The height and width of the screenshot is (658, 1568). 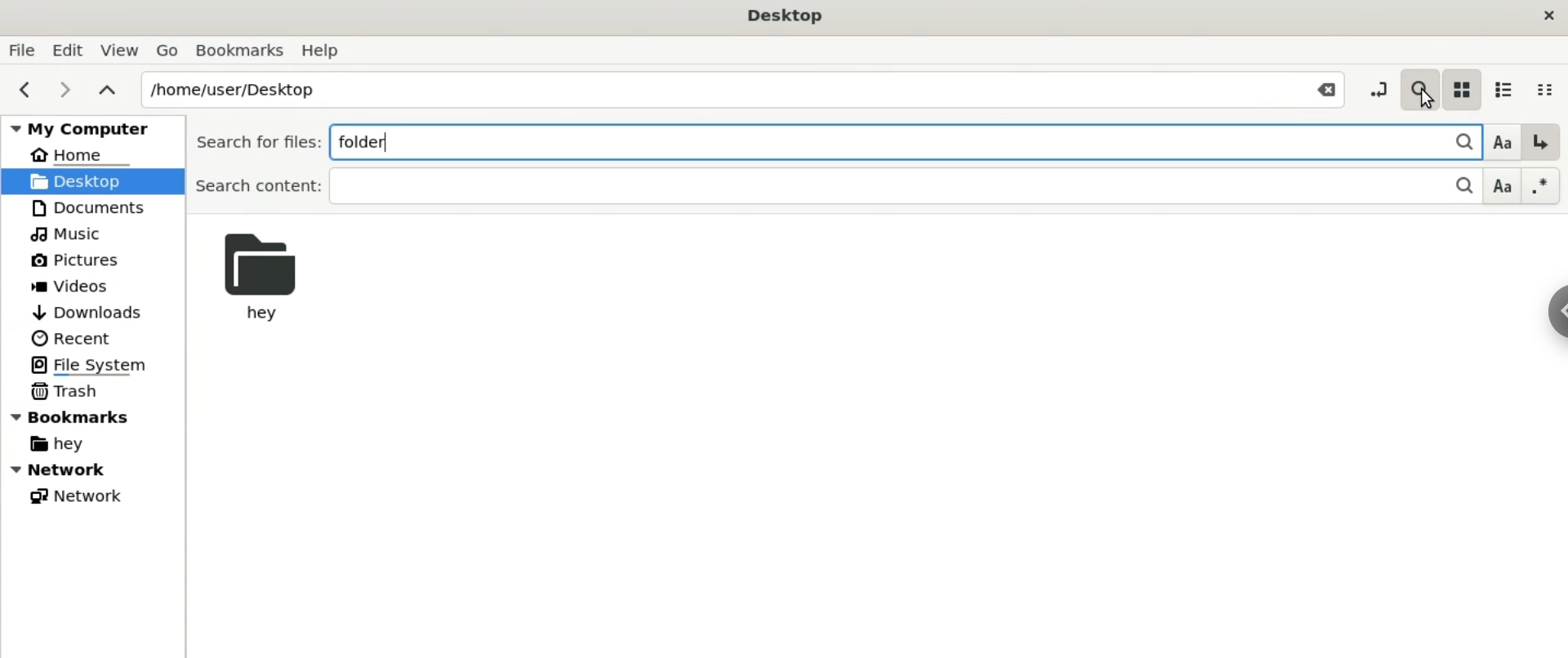 What do you see at coordinates (78, 285) in the screenshot?
I see `Videos` at bounding box center [78, 285].